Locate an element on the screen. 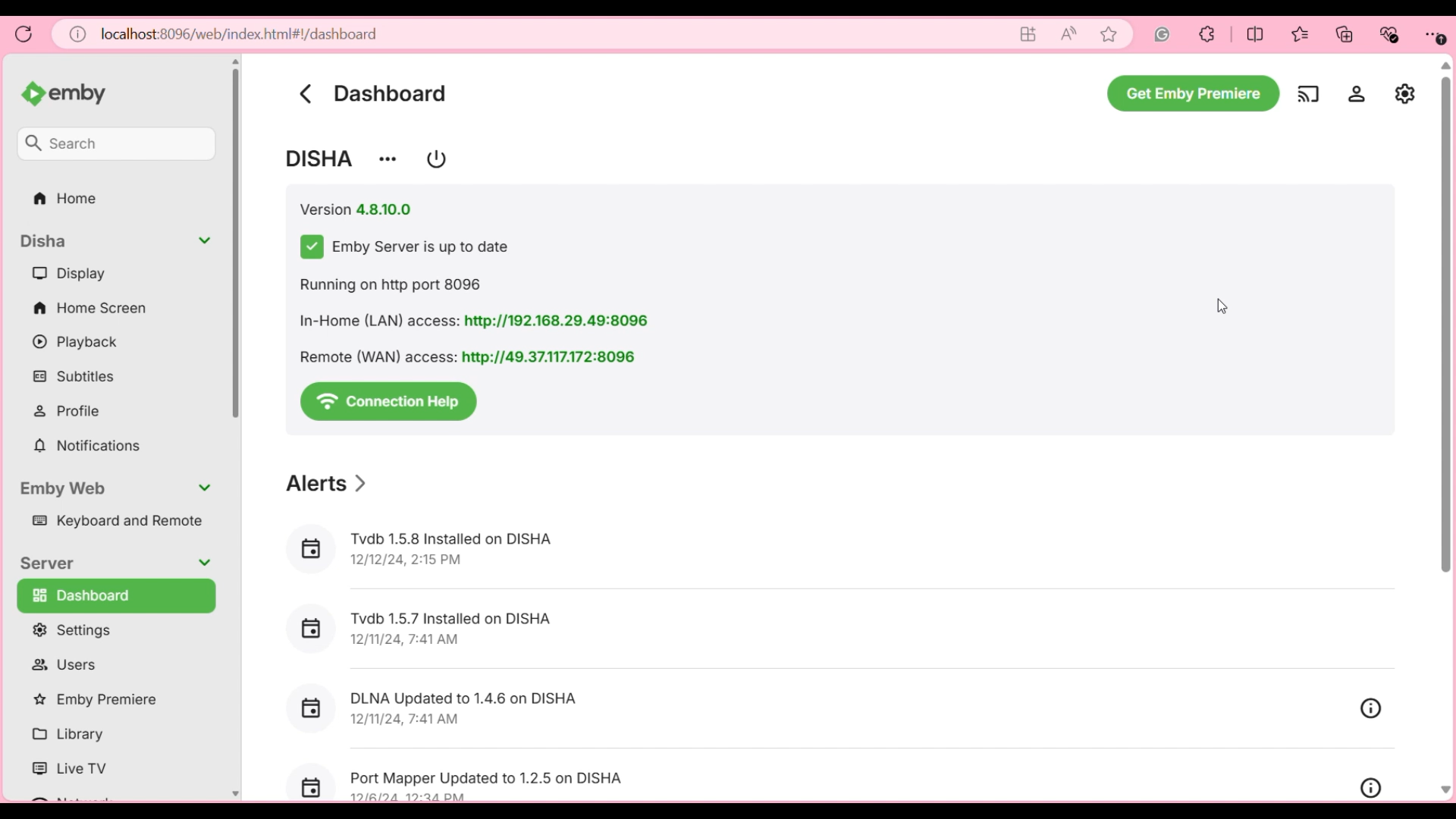 The width and height of the screenshot is (1456, 819). Running on http port 8096 is located at coordinates (397, 285).